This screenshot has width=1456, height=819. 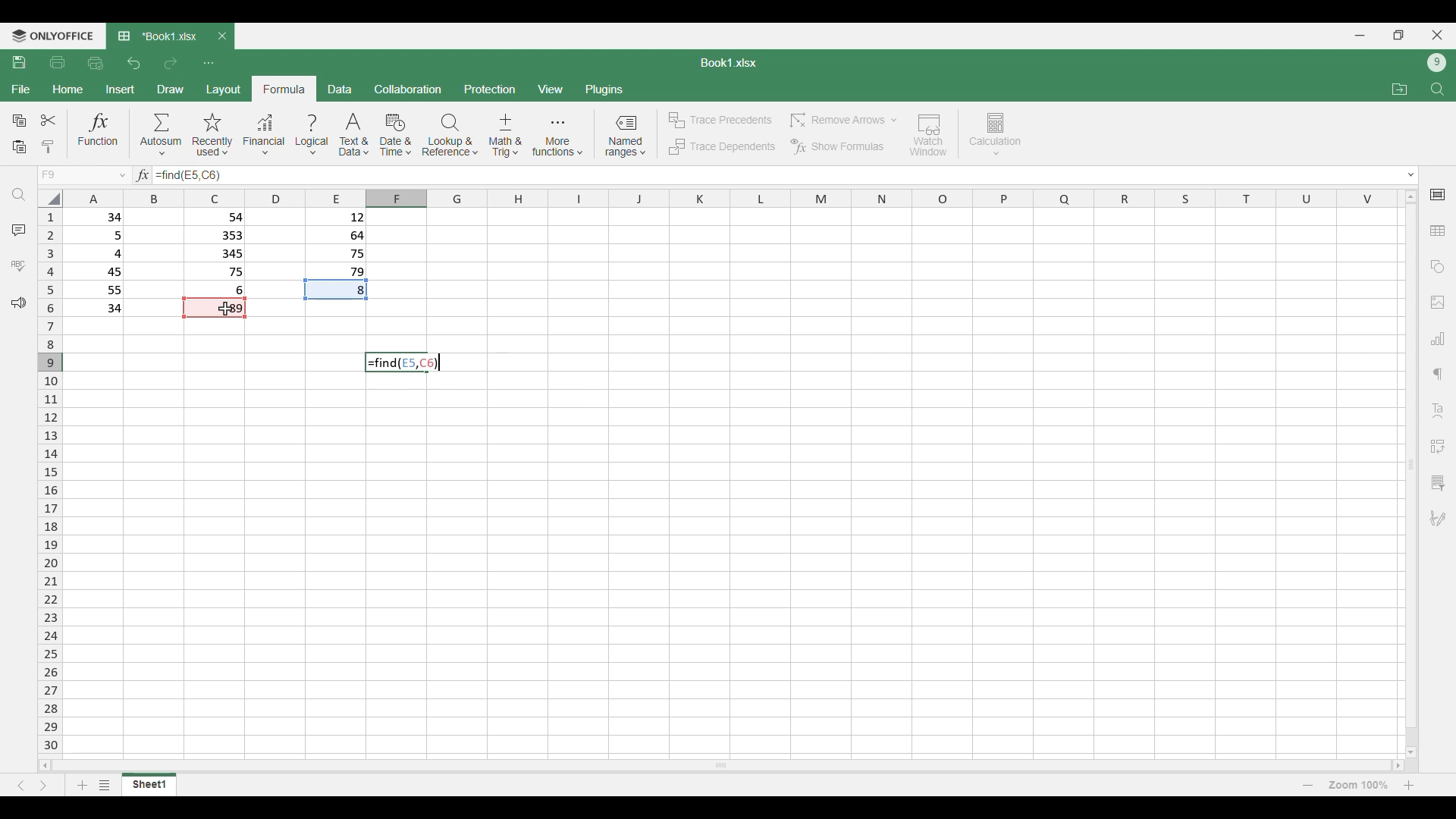 I want to click on Find function, so click(x=382, y=362).